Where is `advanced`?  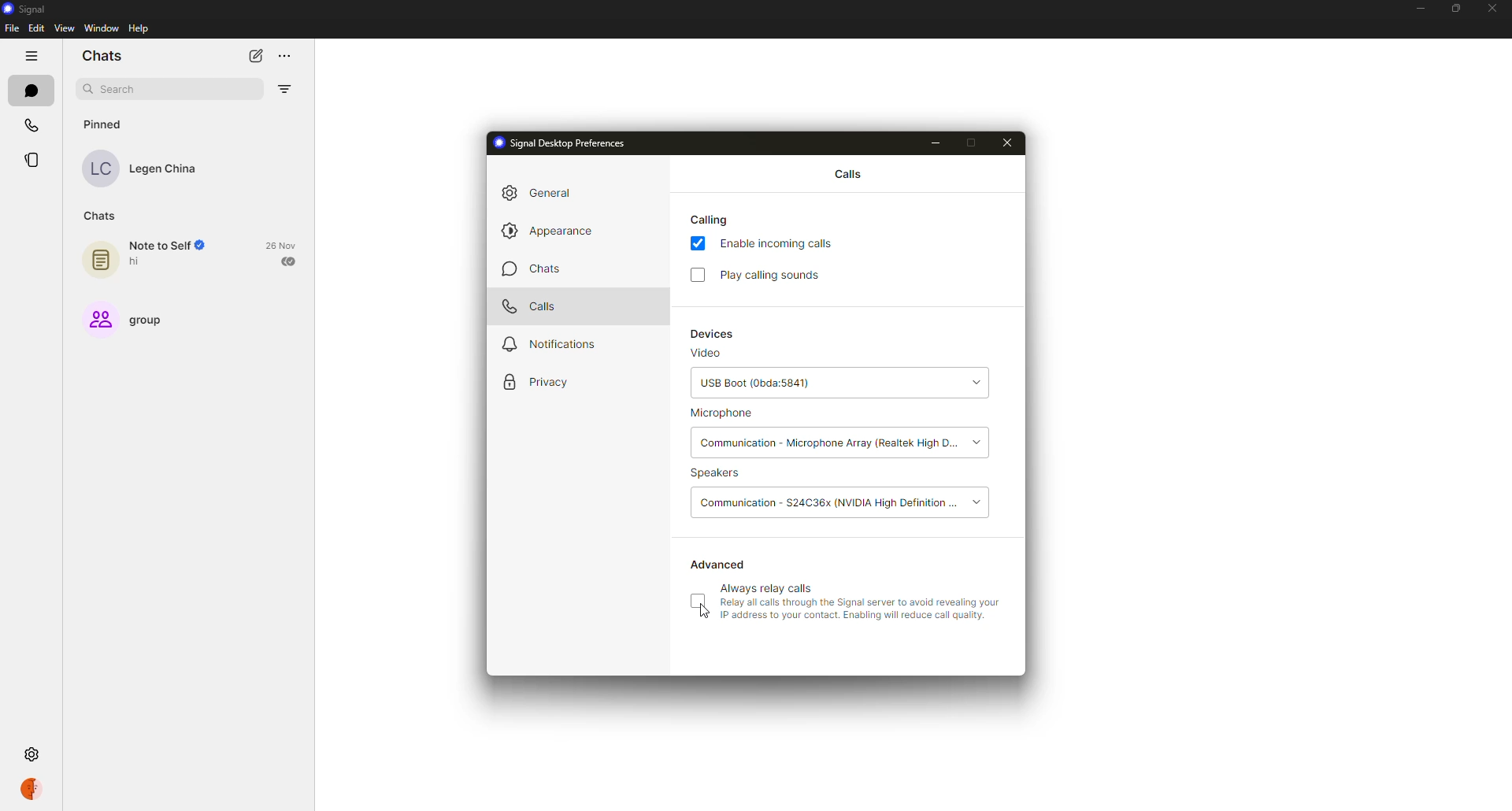
advanced is located at coordinates (719, 564).